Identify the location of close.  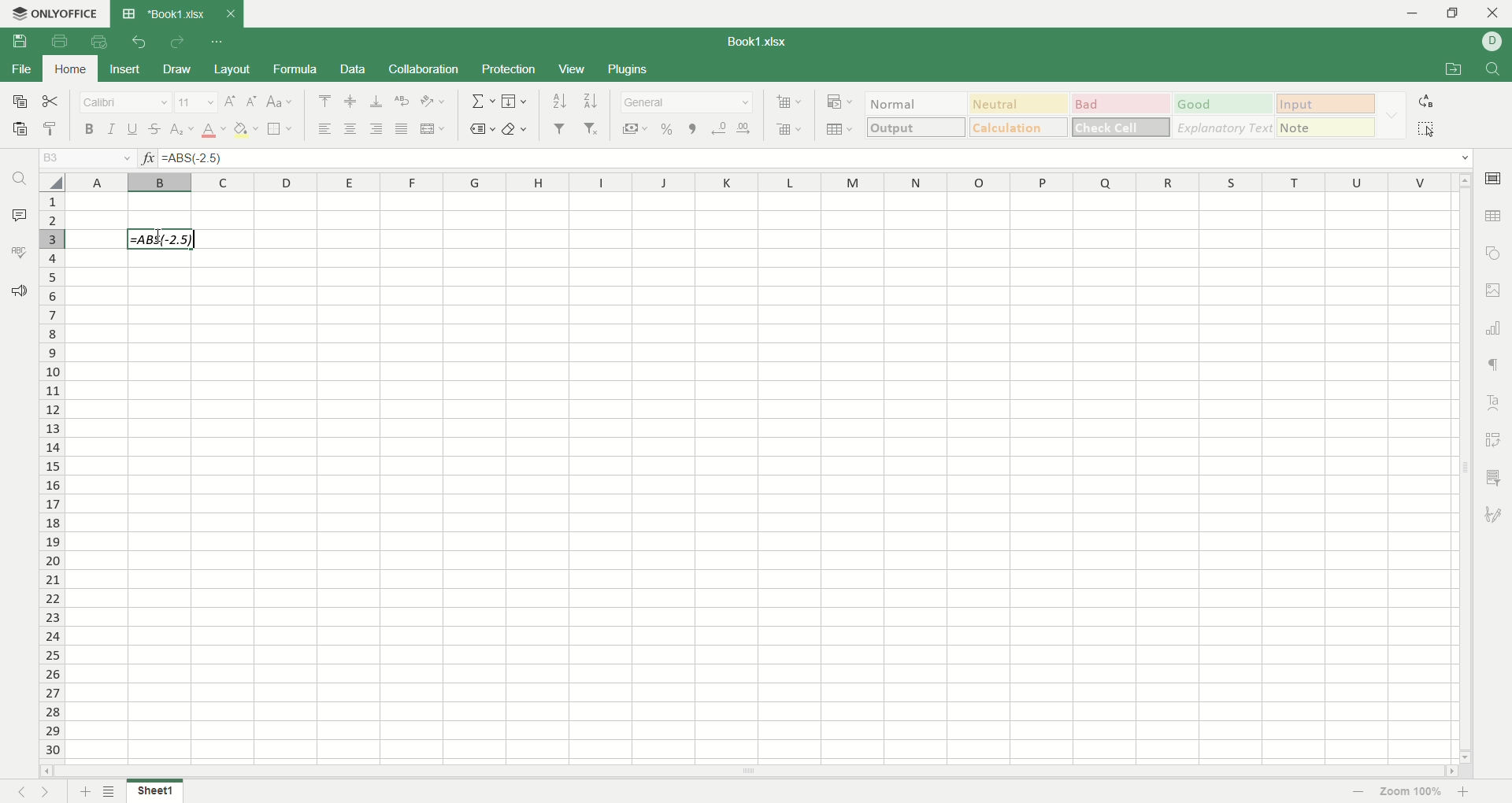
(1493, 15).